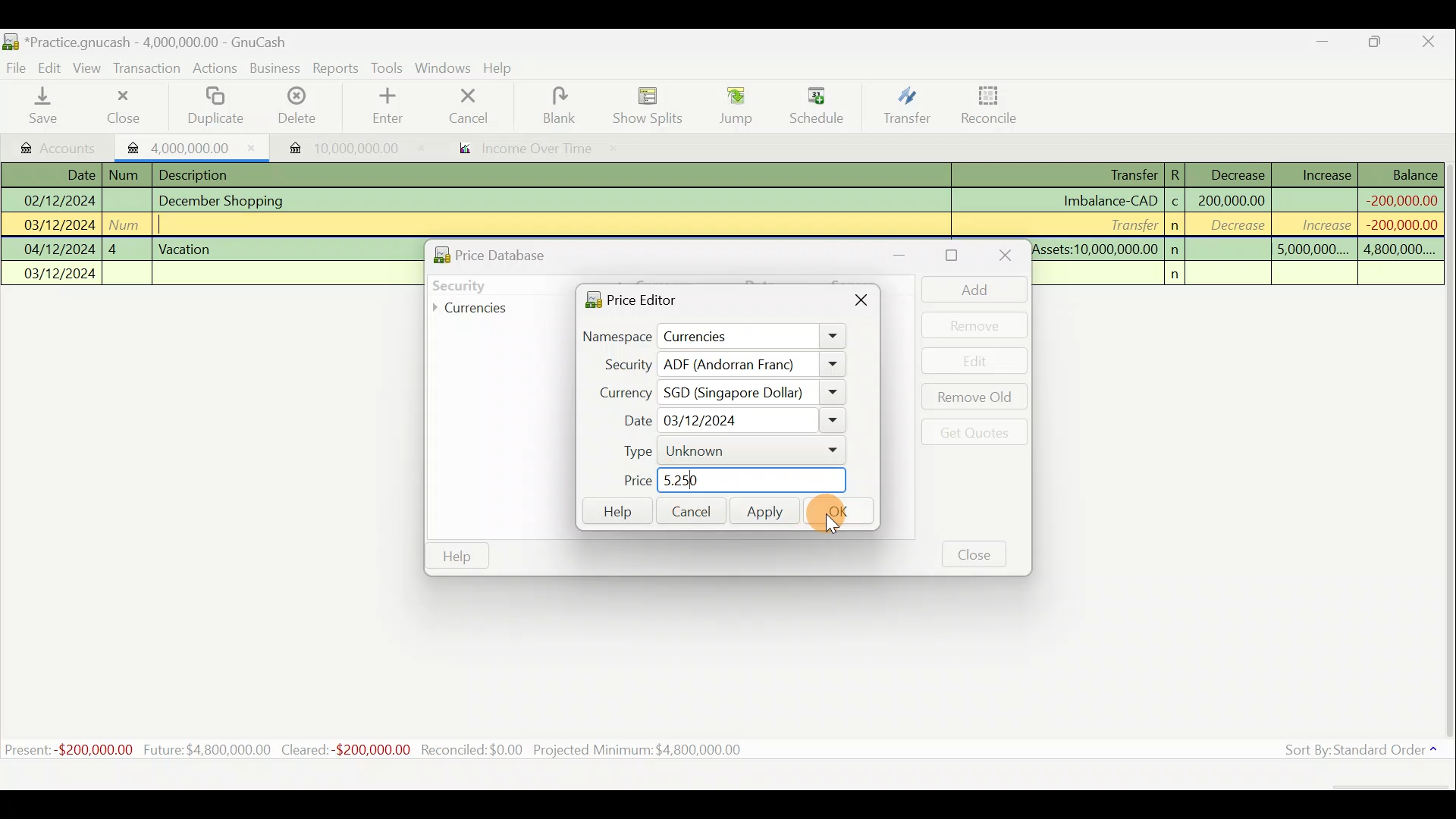  I want to click on Scroll bar, so click(1447, 454).